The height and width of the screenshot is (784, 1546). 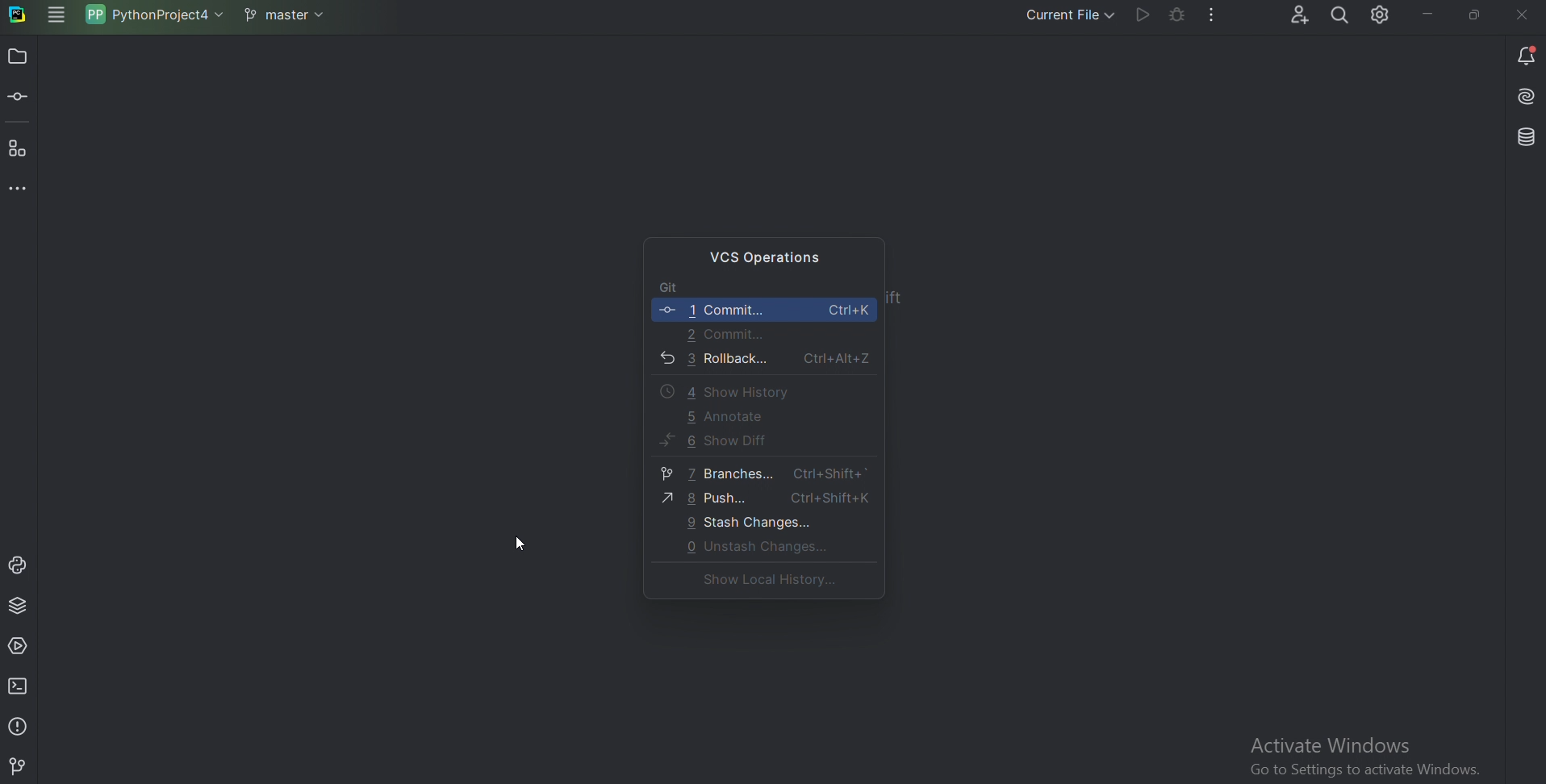 What do you see at coordinates (720, 390) in the screenshot?
I see `Show history` at bounding box center [720, 390].